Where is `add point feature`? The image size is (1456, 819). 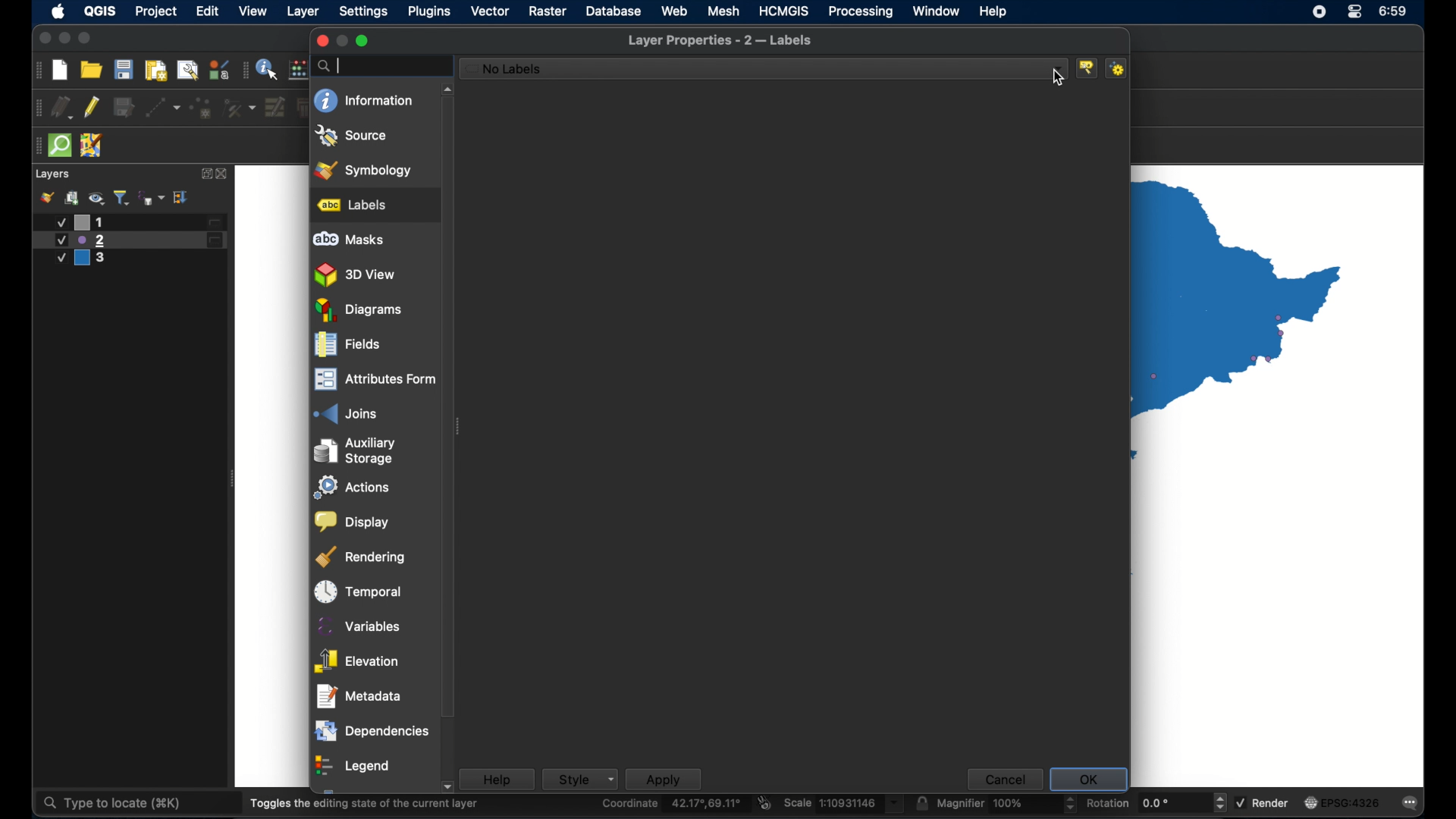 add point feature is located at coordinates (202, 108).